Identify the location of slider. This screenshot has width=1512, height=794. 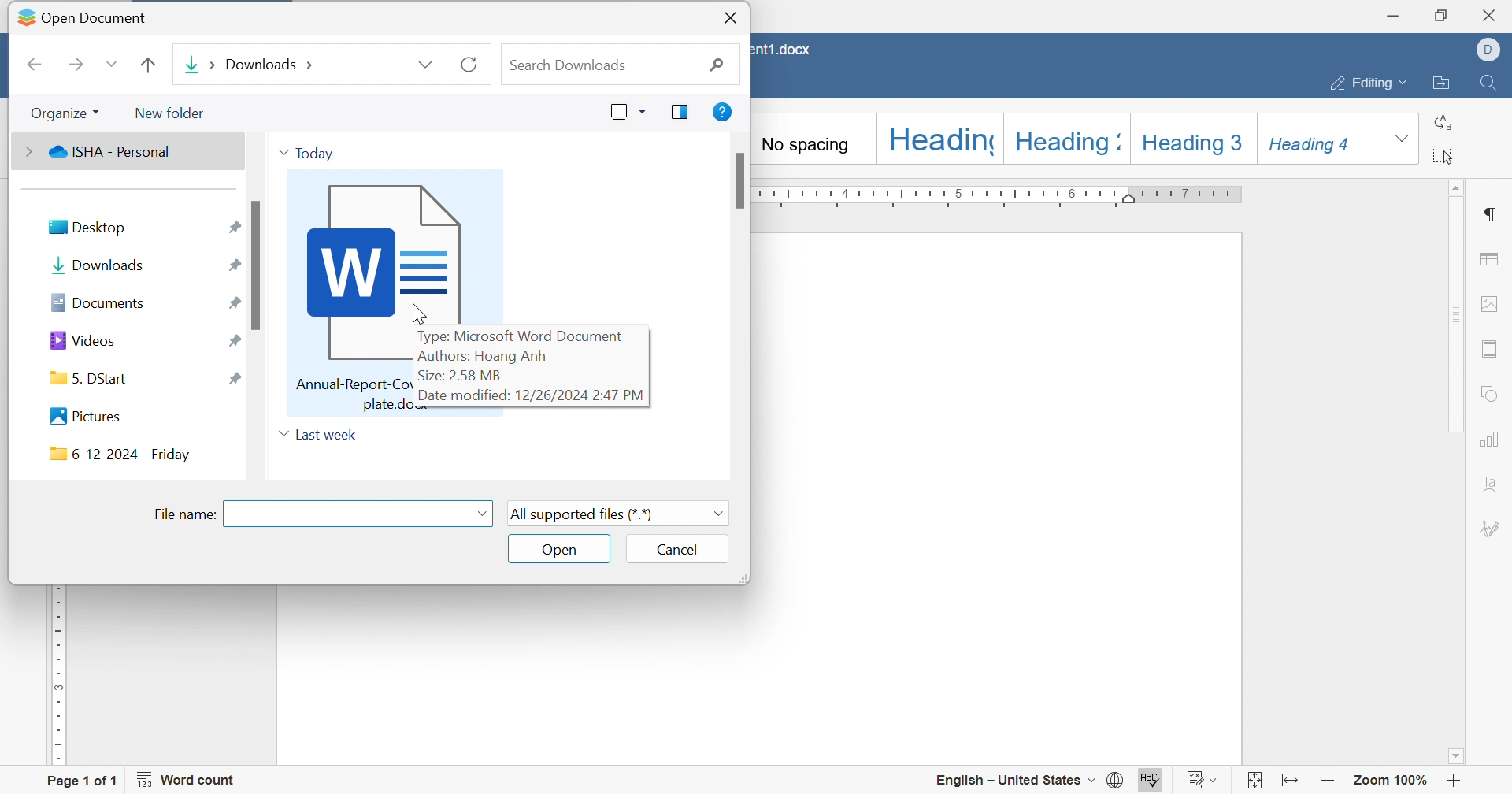
(737, 183).